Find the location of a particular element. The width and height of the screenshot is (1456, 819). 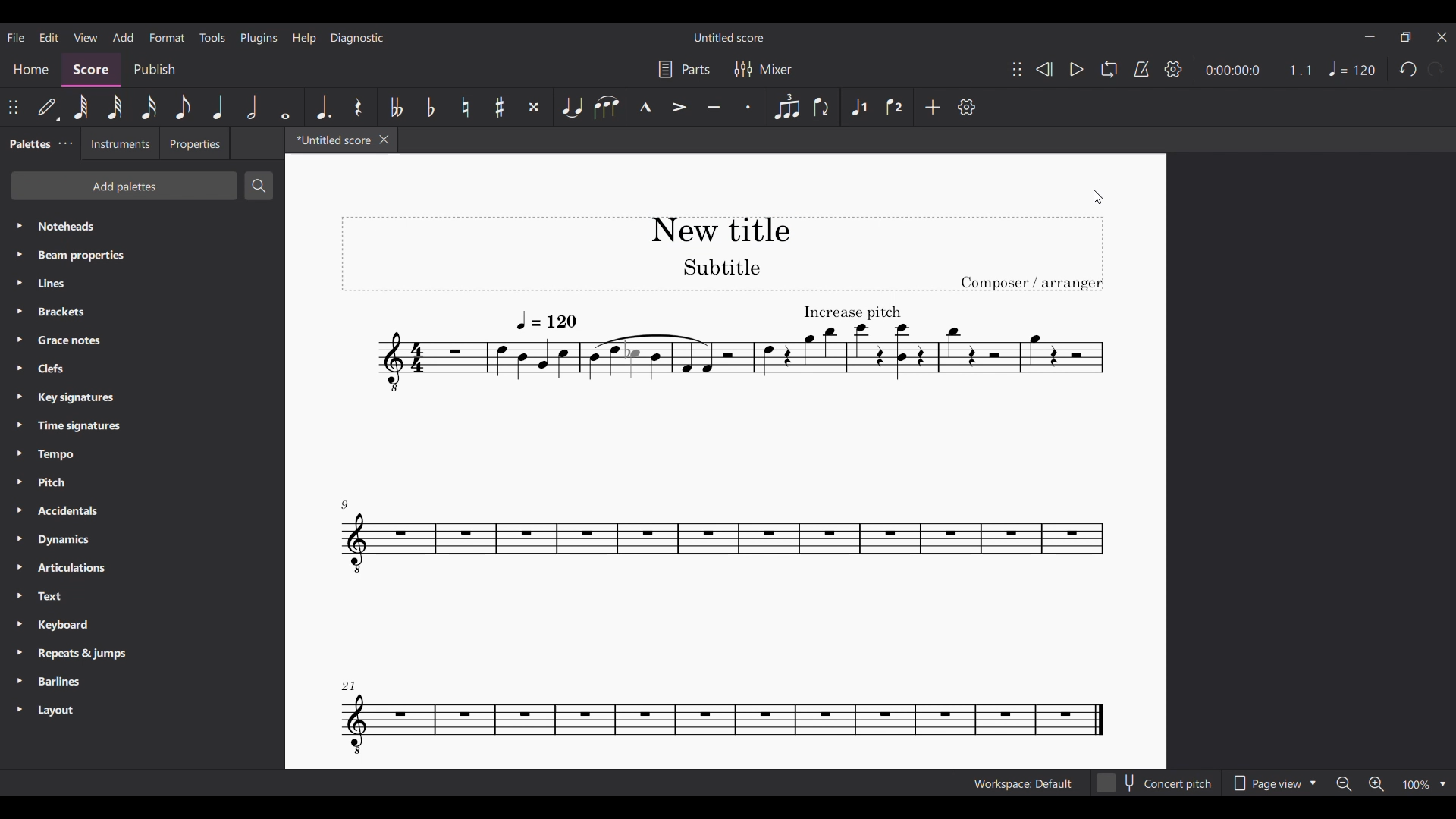

Mixer settings is located at coordinates (764, 70).